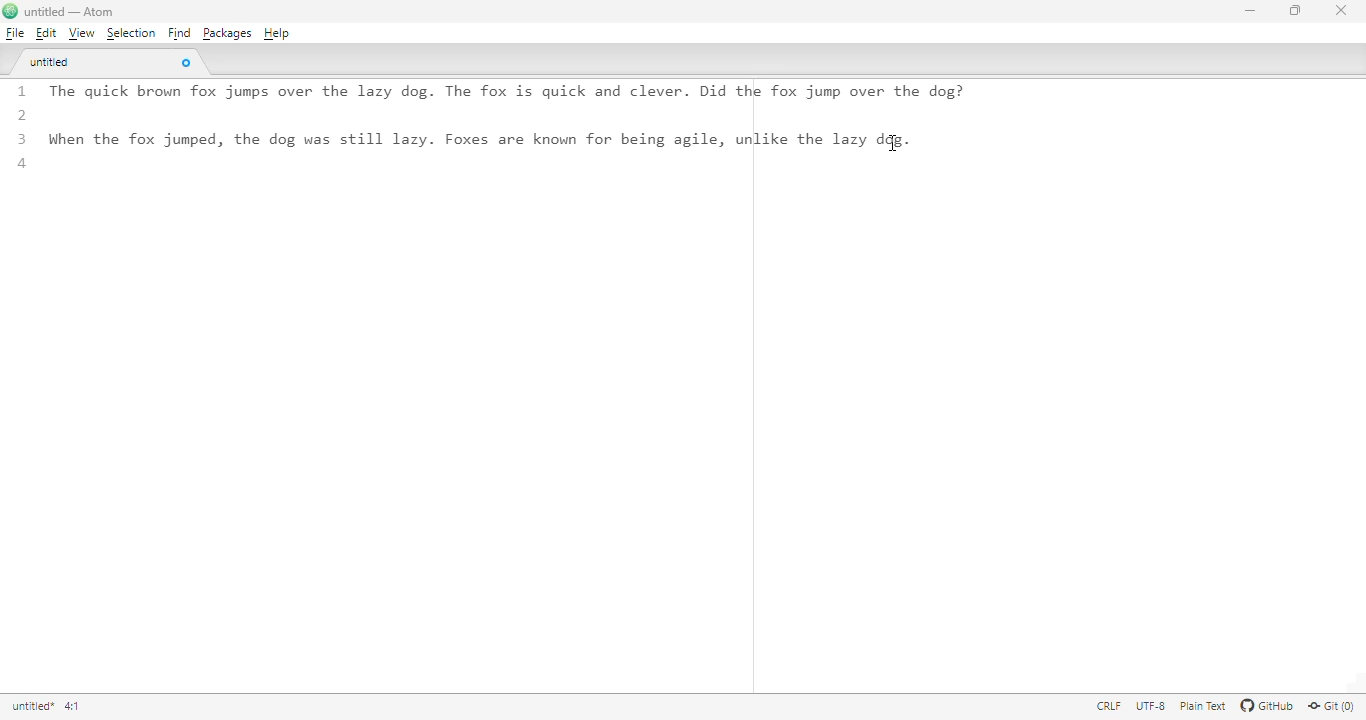 Image resolution: width=1366 pixels, height=720 pixels. What do you see at coordinates (130, 34) in the screenshot?
I see `selection` at bounding box center [130, 34].